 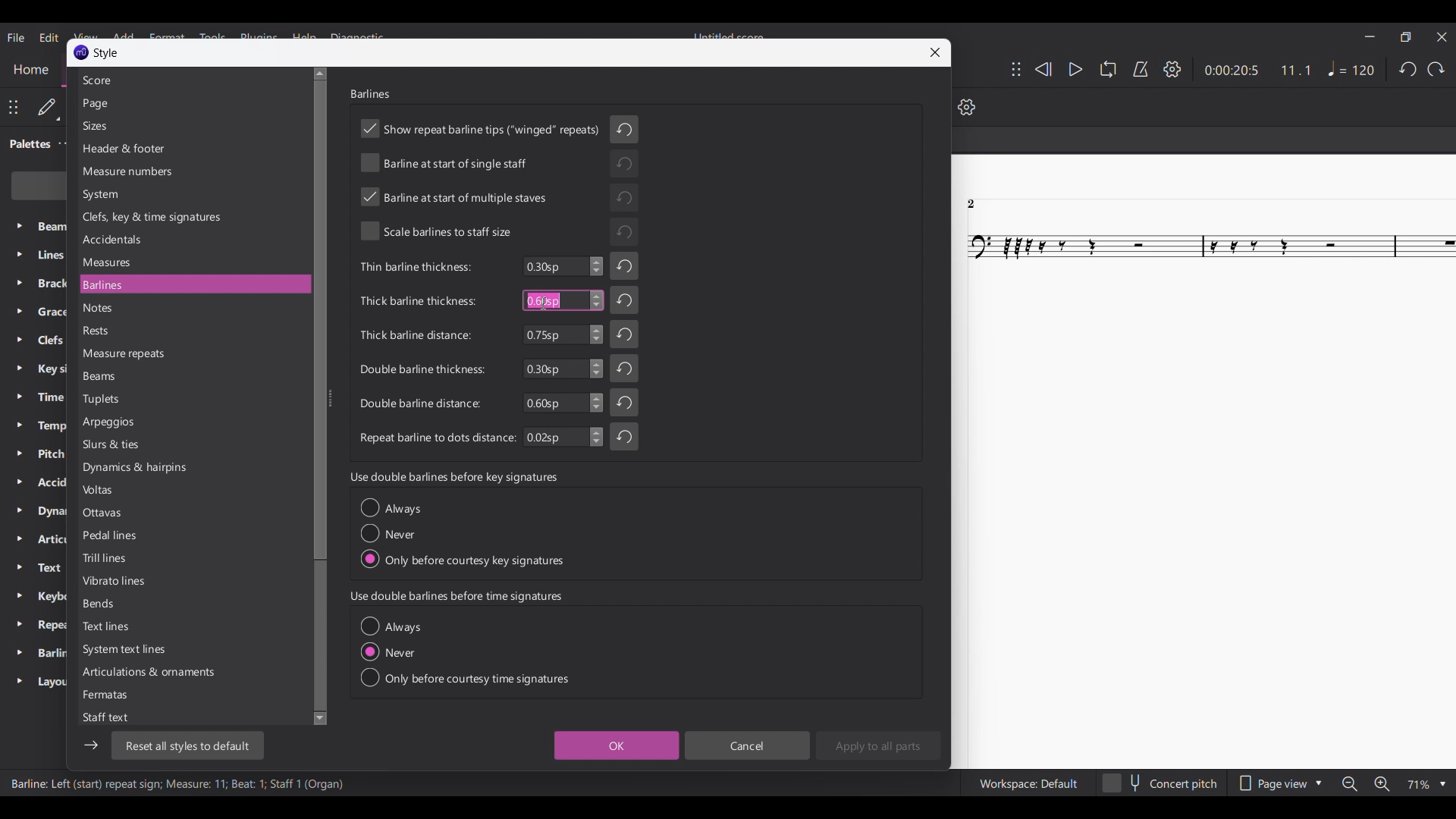 I want to click on Close window, so click(x=935, y=52).